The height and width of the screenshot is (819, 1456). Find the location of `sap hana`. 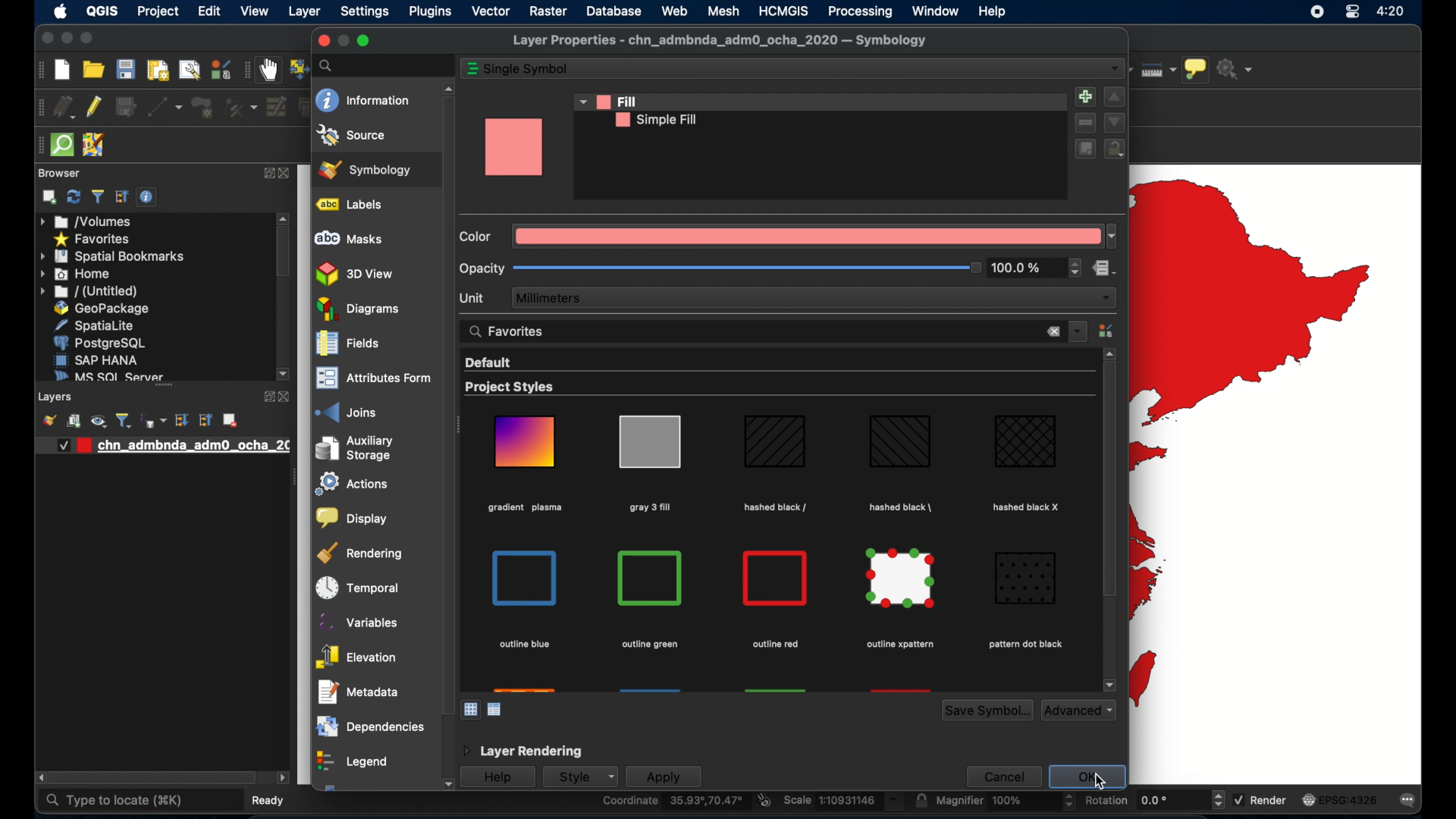

sap hana is located at coordinates (96, 359).